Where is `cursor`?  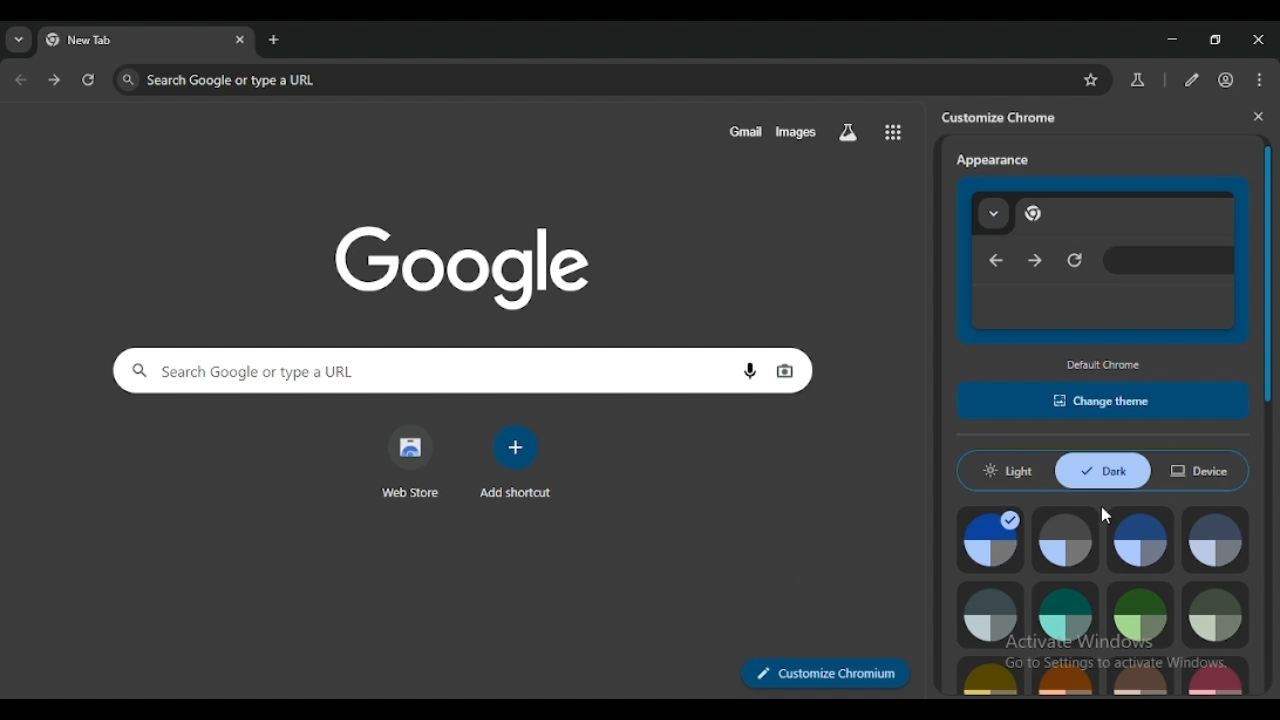
cursor is located at coordinates (1106, 516).